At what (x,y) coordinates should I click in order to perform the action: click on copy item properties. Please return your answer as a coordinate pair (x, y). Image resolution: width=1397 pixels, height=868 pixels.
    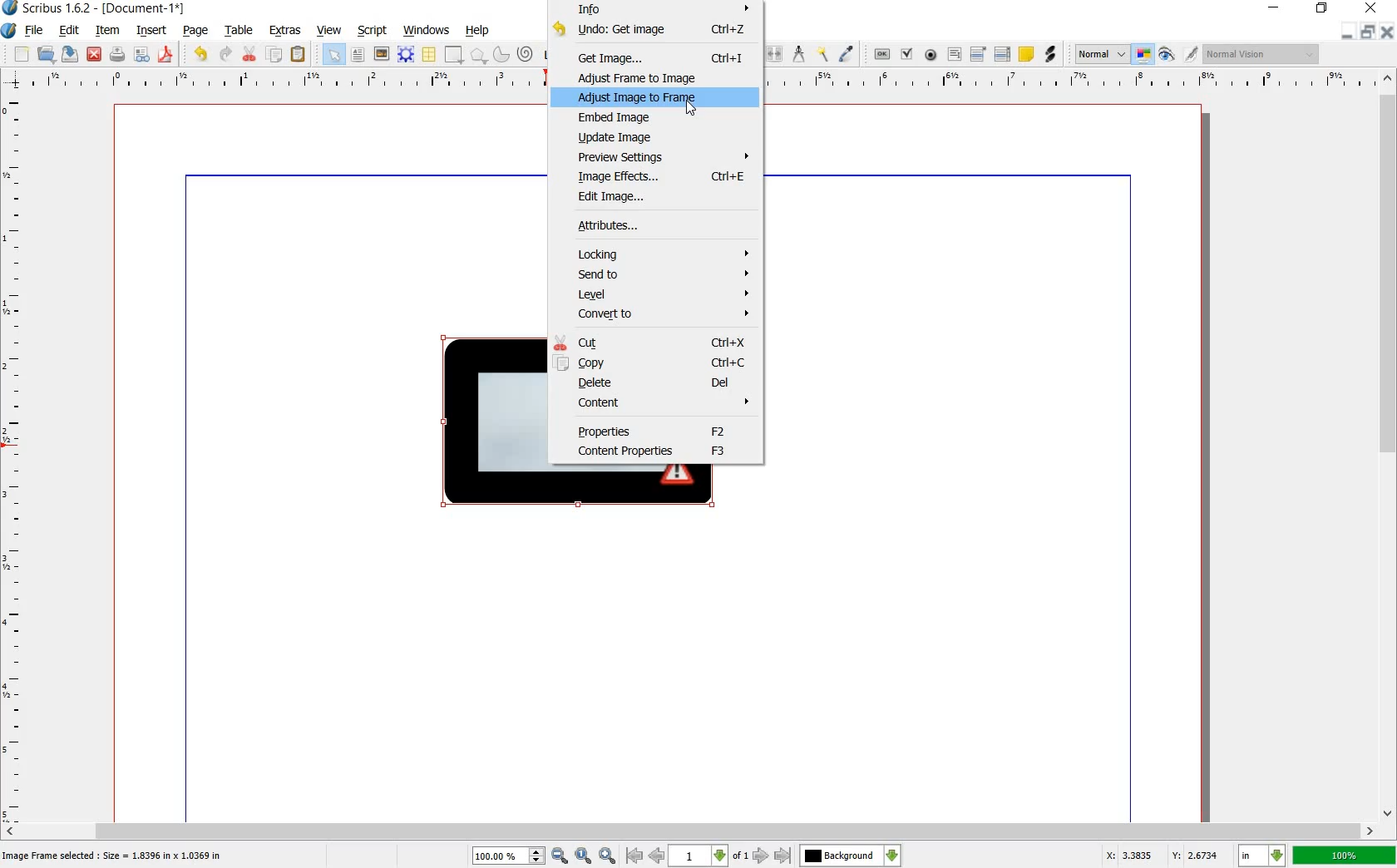
    Looking at the image, I should click on (822, 53).